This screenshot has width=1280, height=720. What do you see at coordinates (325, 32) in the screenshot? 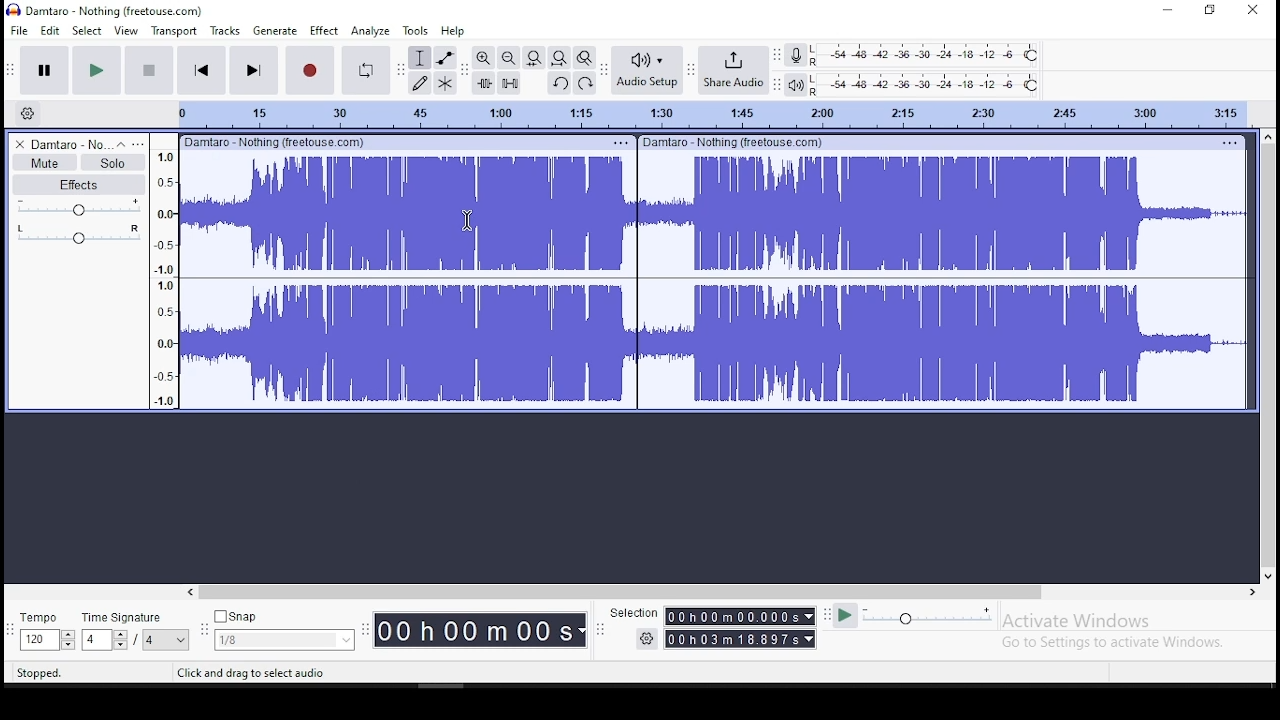
I see `effect` at bounding box center [325, 32].